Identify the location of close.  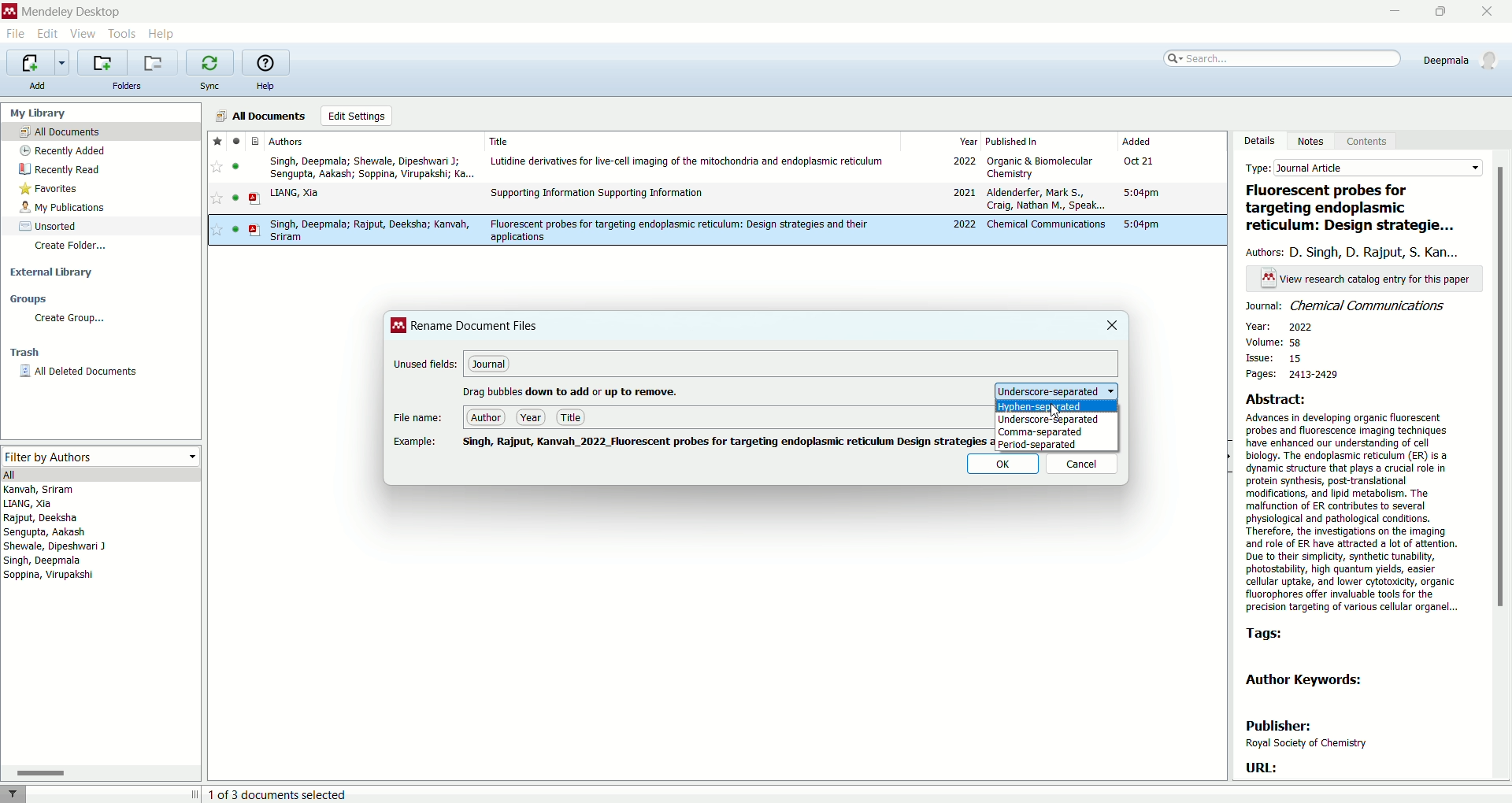
(1487, 12).